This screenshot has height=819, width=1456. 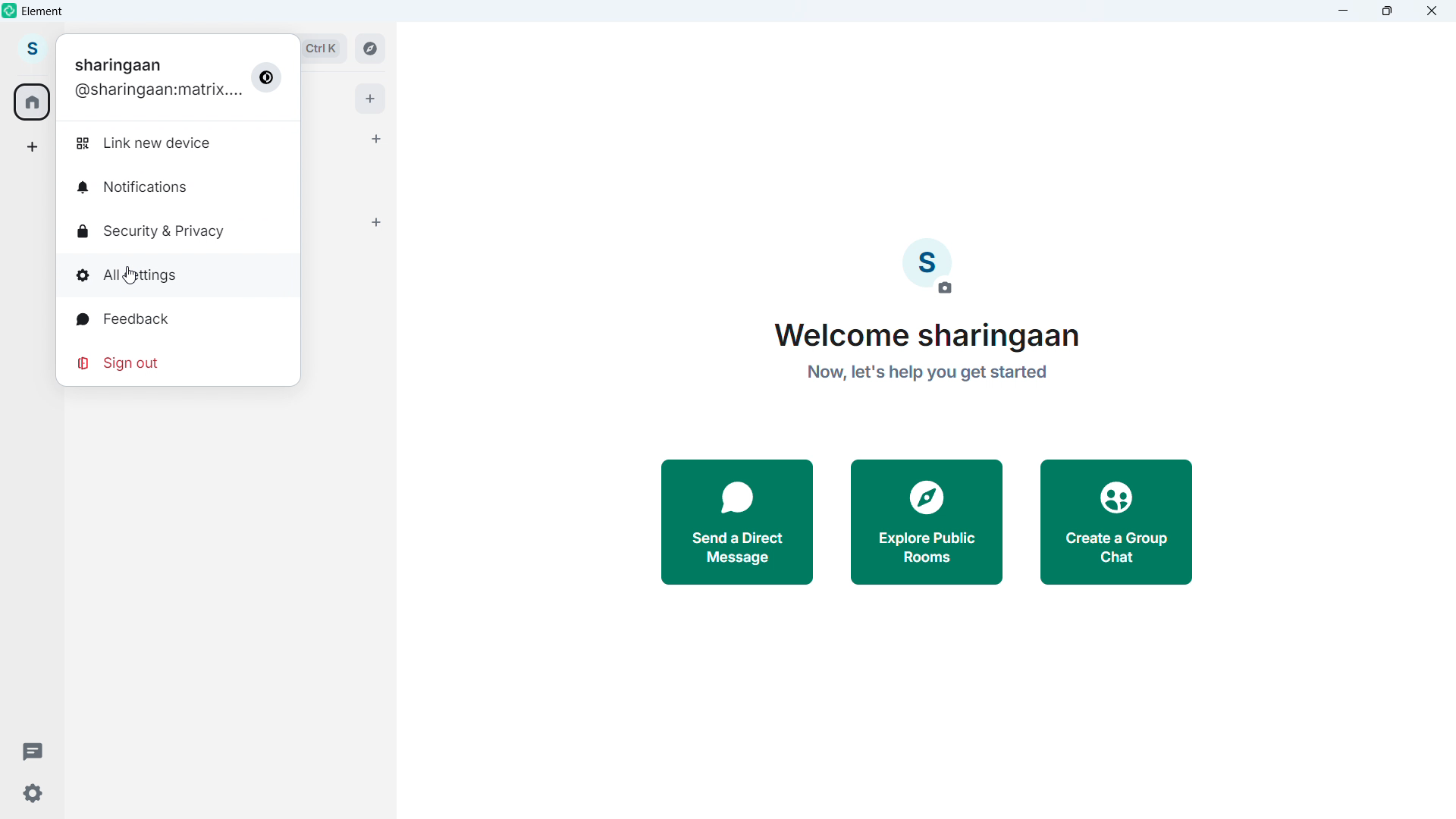 What do you see at coordinates (30, 146) in the screenshot?
I see `Add space ` at bounding box center [30, 146].